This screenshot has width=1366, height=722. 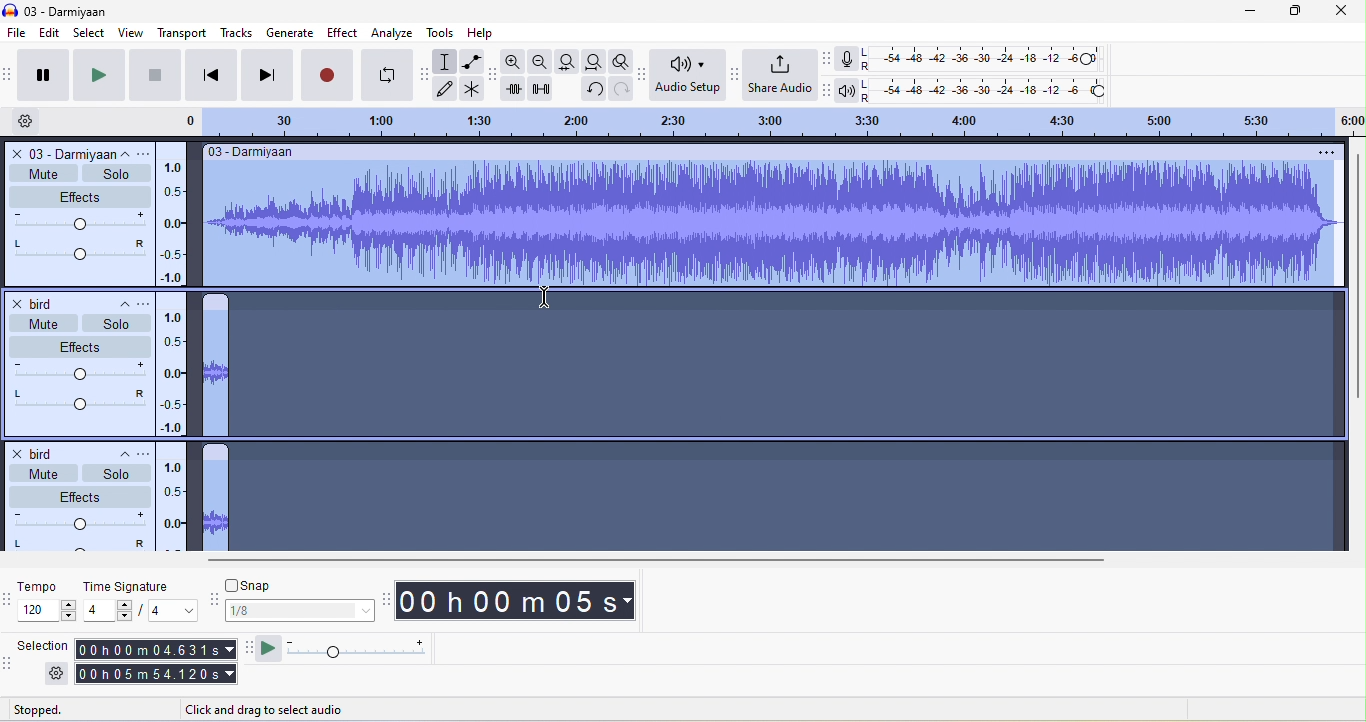 What do you see at coordinates (78, 251) in the screenshot?
I see `pan: center` at bounding box center [78, 251].